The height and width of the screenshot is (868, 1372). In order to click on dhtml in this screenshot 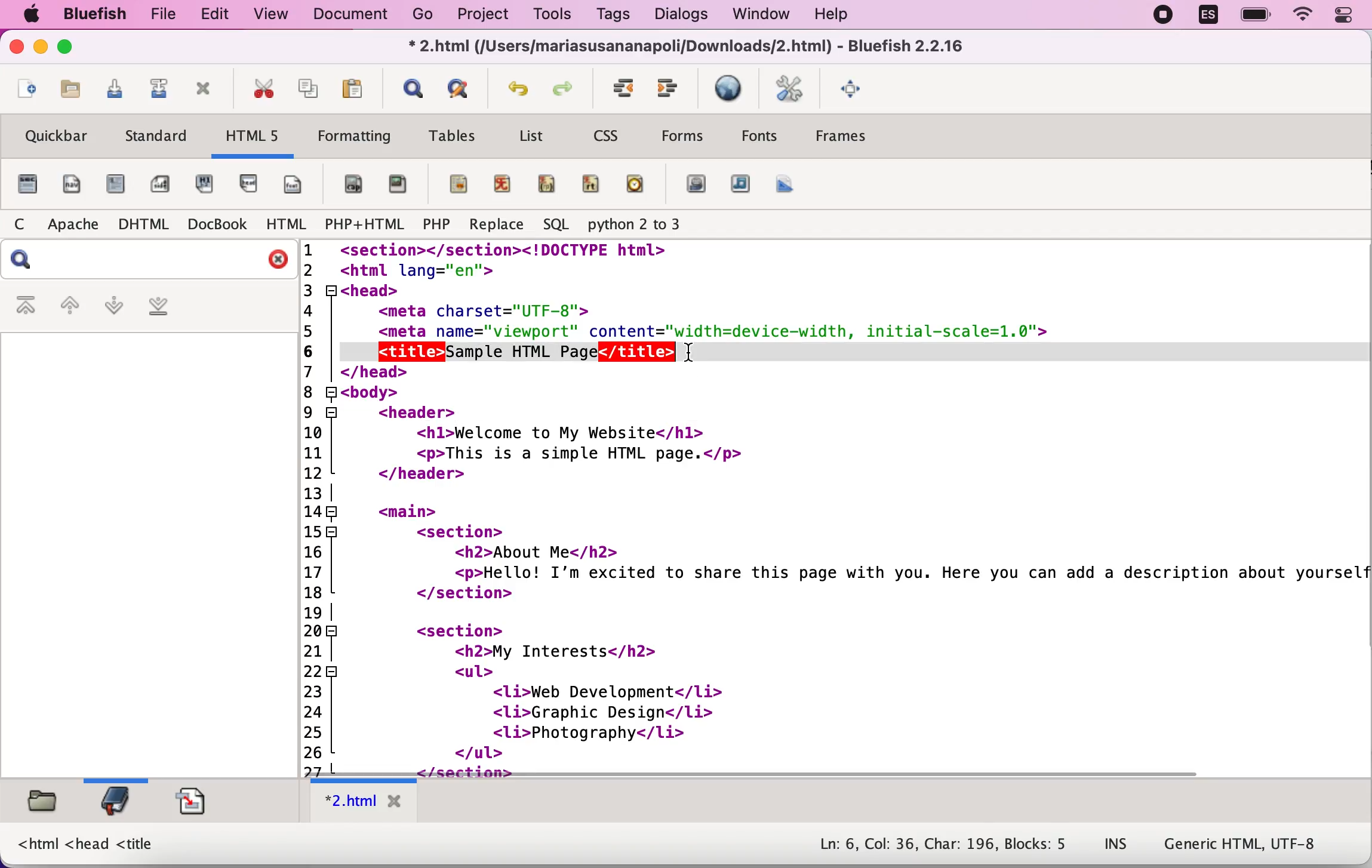, I will do `click(145, 226)`.